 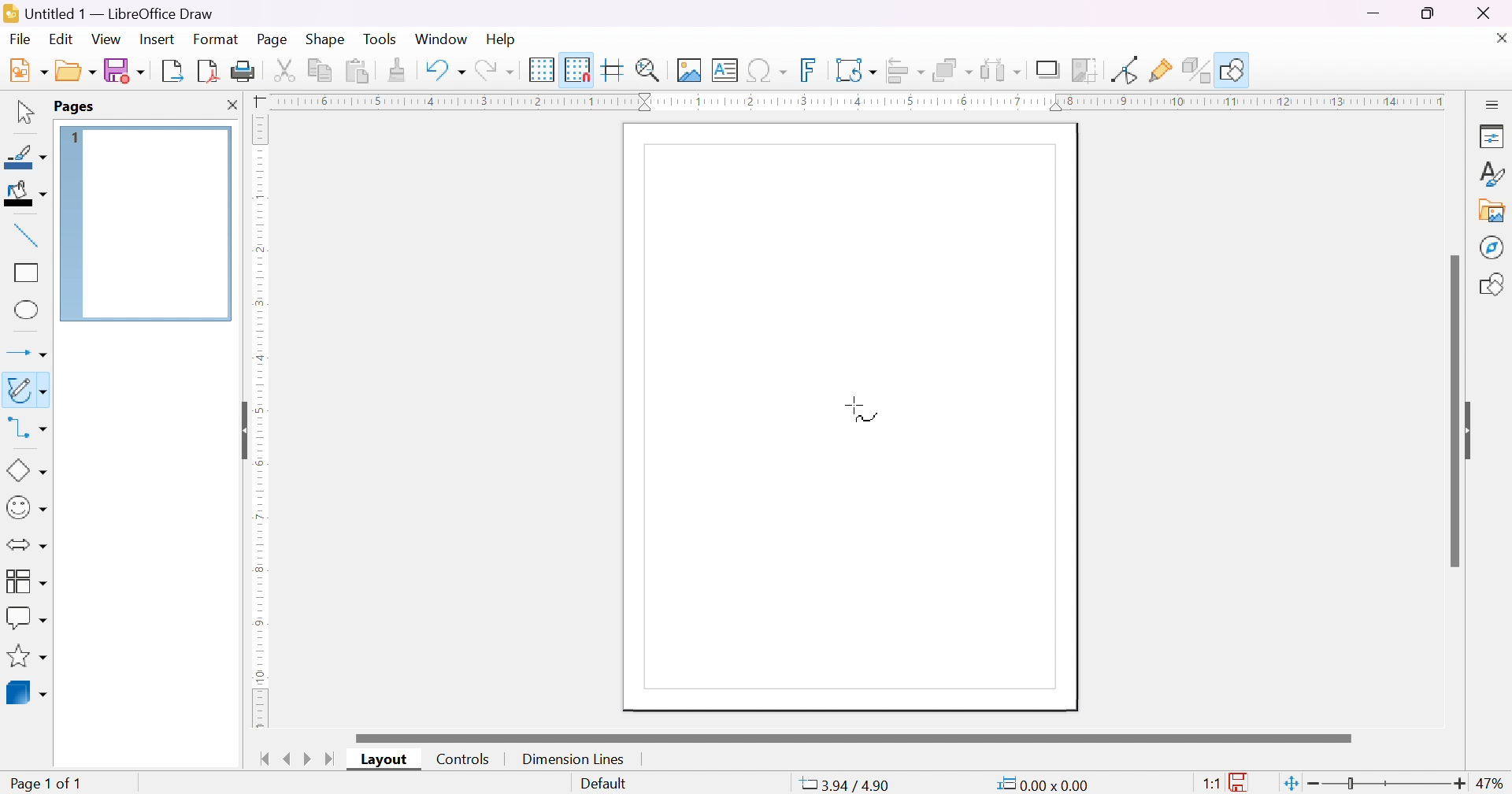 What do you see at coordinates (1453, 408) in the screenshot?
I see `scroll bar` at bounding box center [1453, 408].